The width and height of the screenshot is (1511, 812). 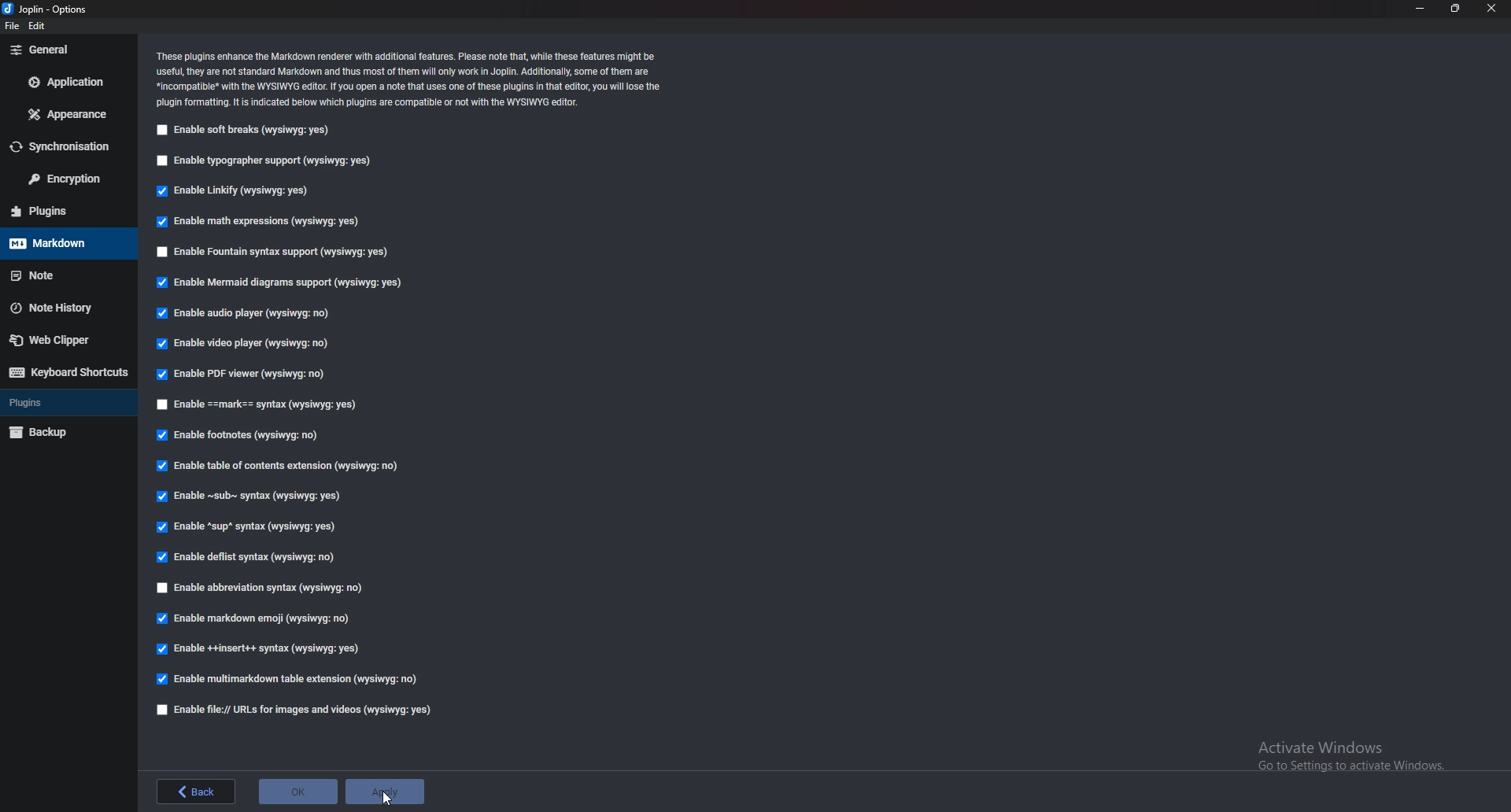 What do you see at coordinates (280, 285) in the screenshot?
I see `enable mermaid diagram support` at bounding box center [280, 285].